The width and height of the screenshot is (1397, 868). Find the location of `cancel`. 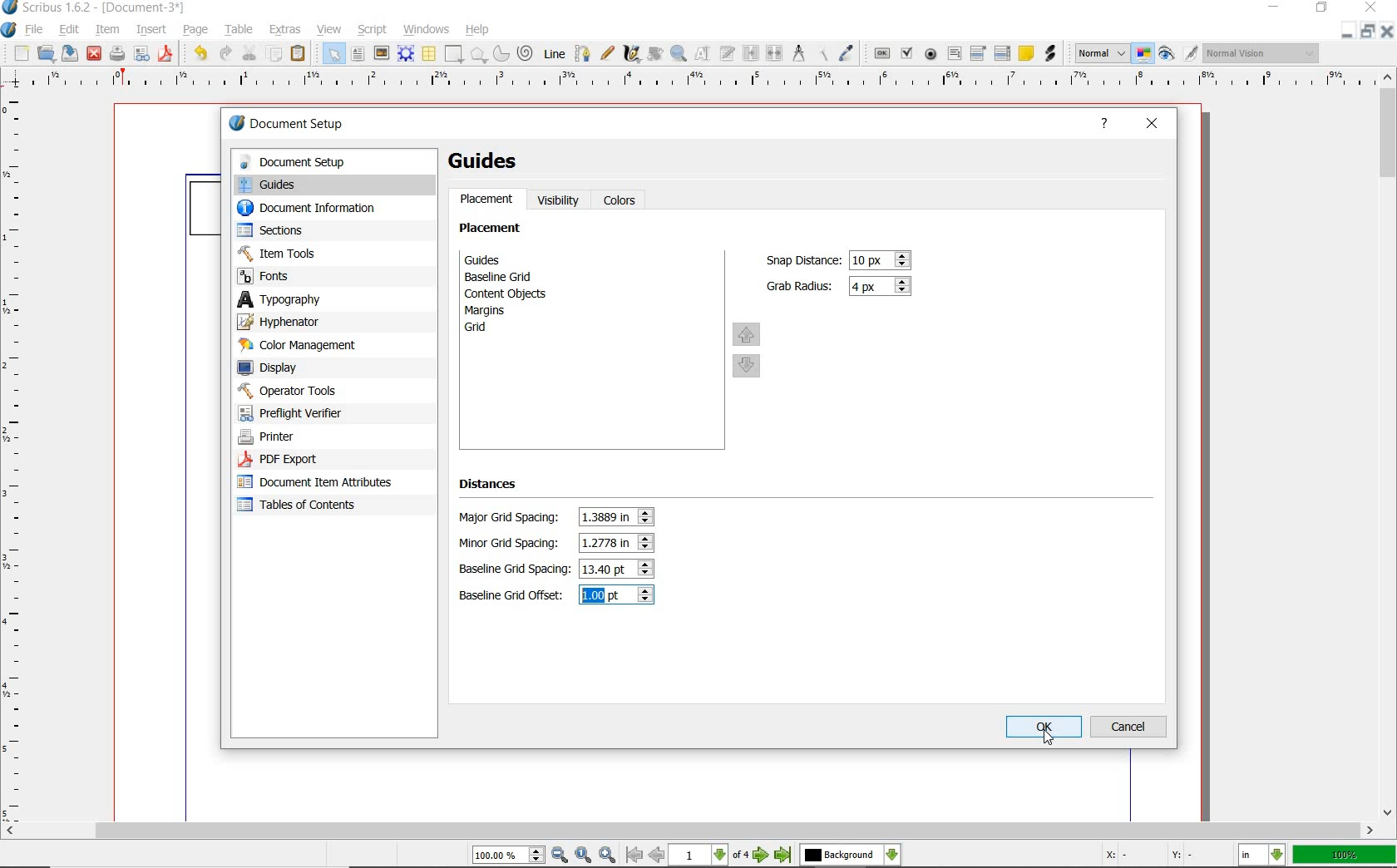

cancel is located at coordinates (1129, 727).